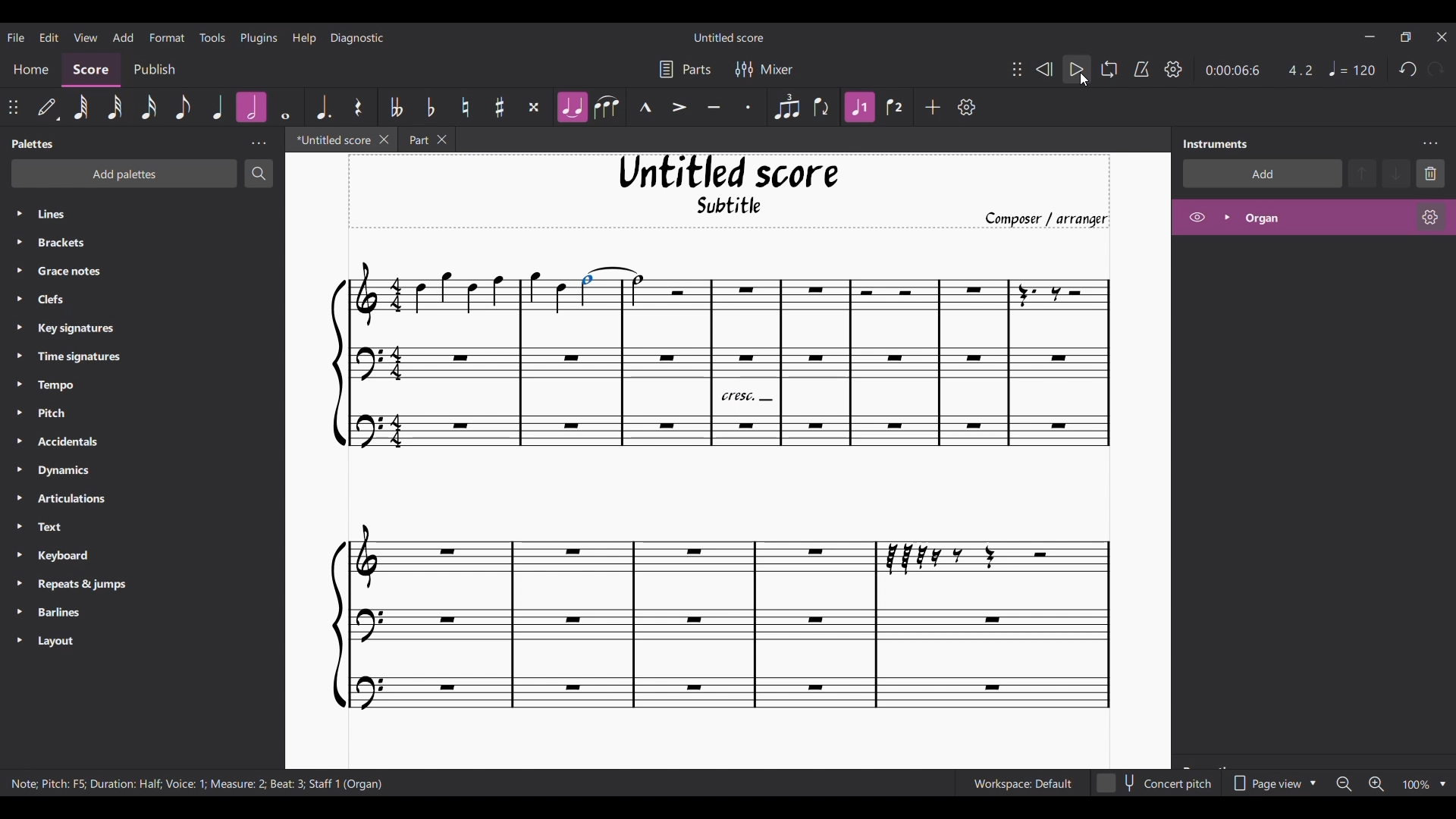 The height and width of the screenshot is (819, 1456). What do you see at coordinates (259, 174) in the screenshot?
I see `Search palettes` at bounding box center [259, 174].